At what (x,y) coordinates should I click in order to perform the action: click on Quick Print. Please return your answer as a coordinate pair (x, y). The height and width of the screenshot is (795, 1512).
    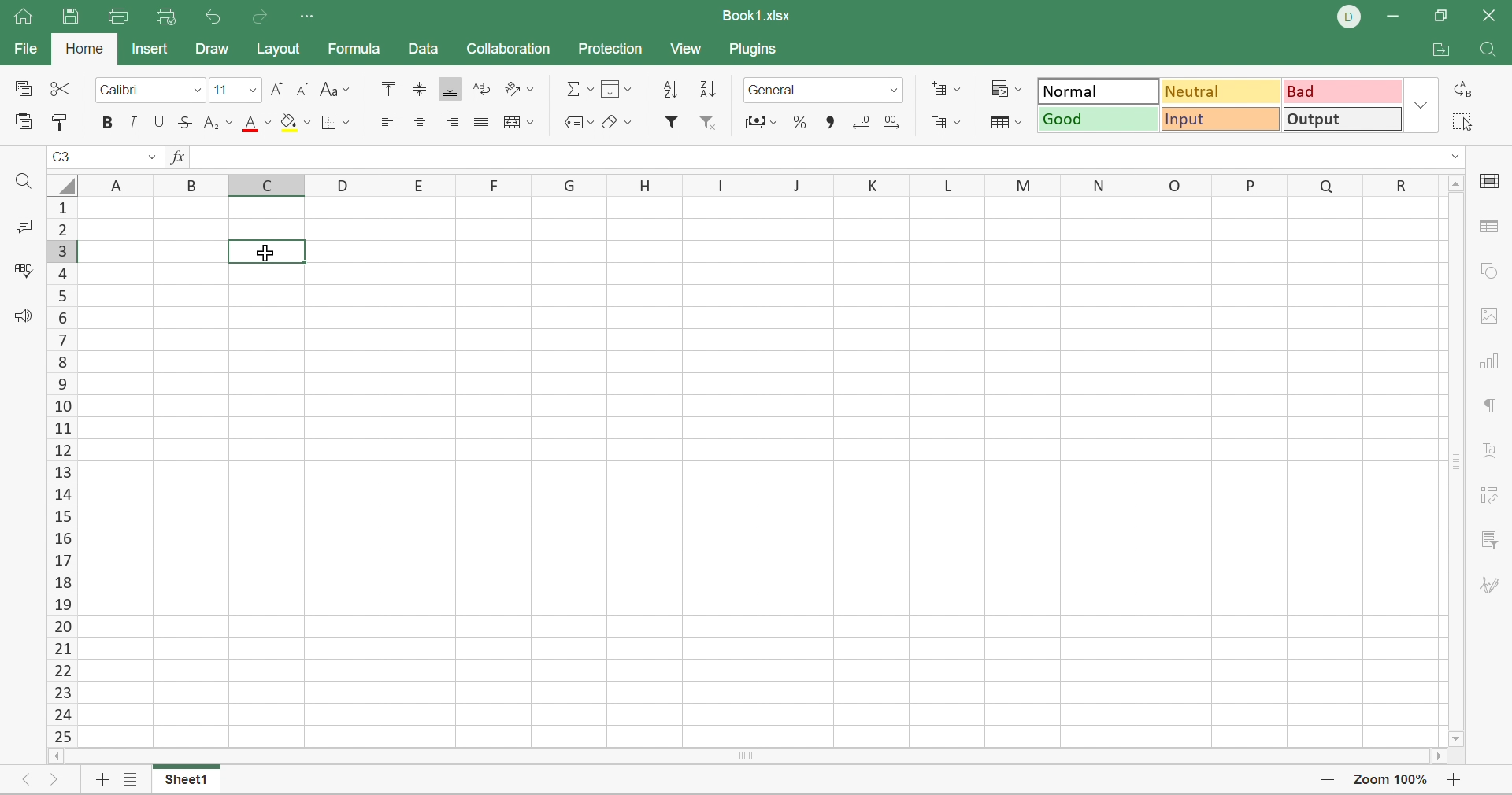
    Looking at the image, I should click on (169, 17).